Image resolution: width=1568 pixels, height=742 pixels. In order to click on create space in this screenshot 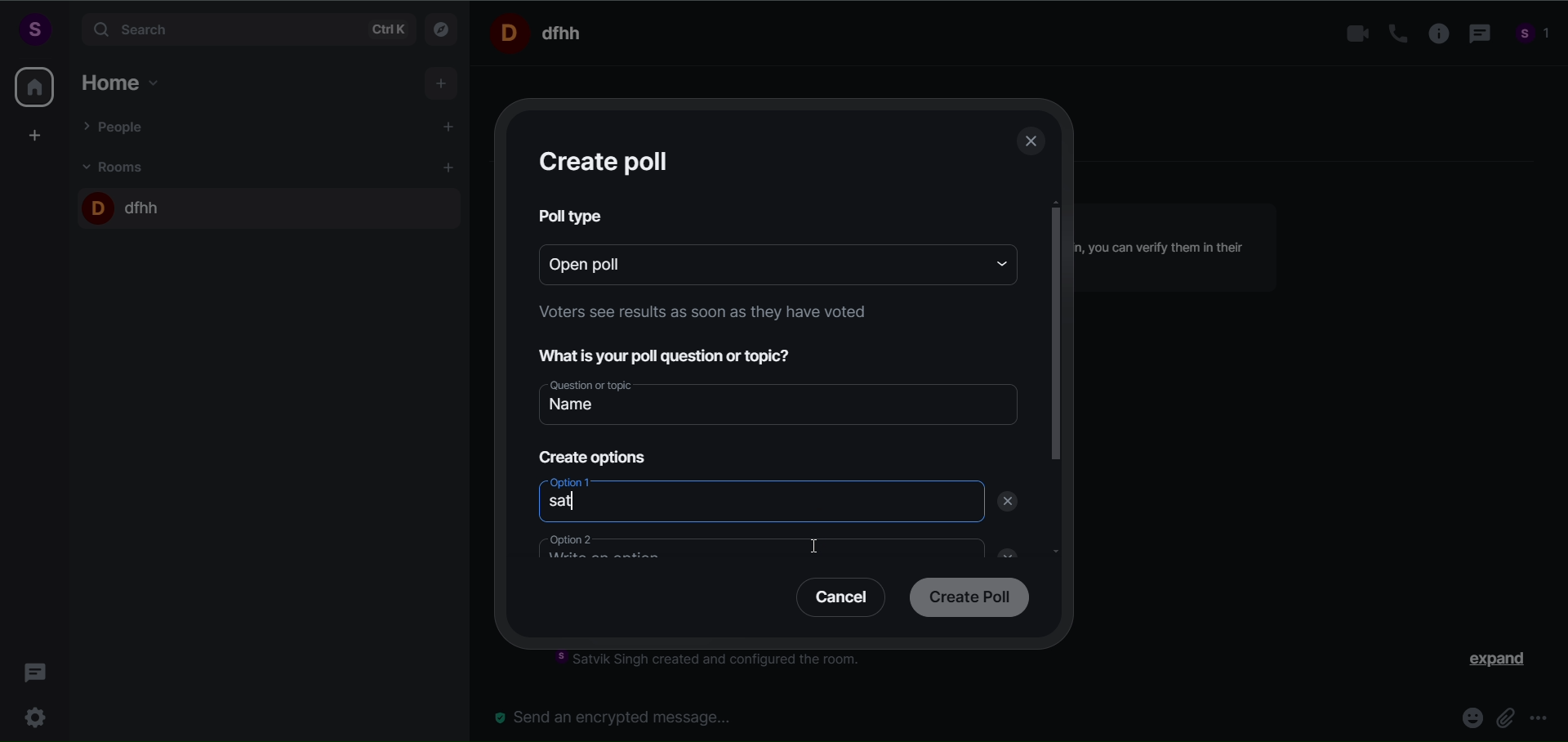, I will do `click(35, 135)`.